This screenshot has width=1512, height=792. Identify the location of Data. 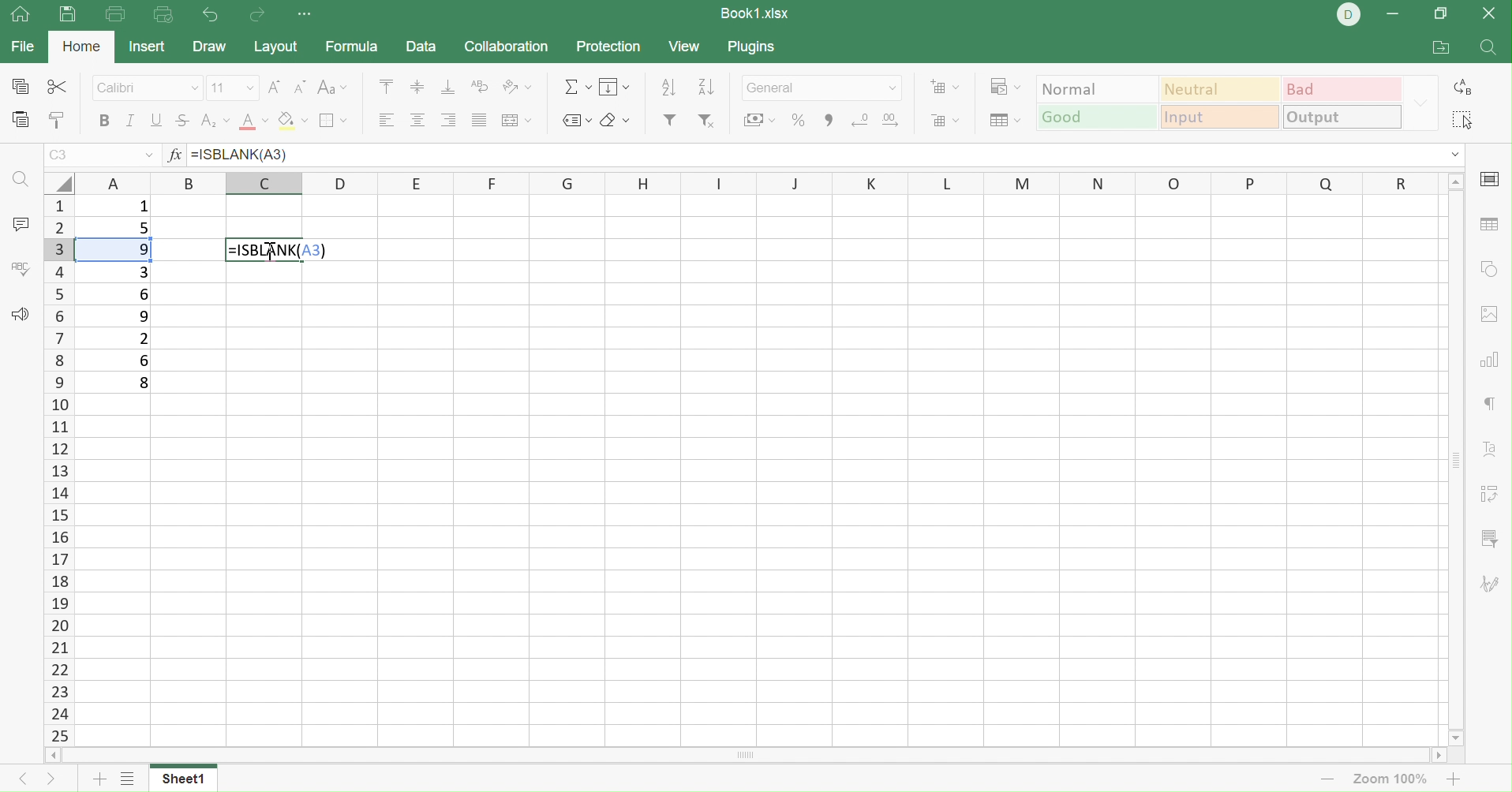
(421, 46).